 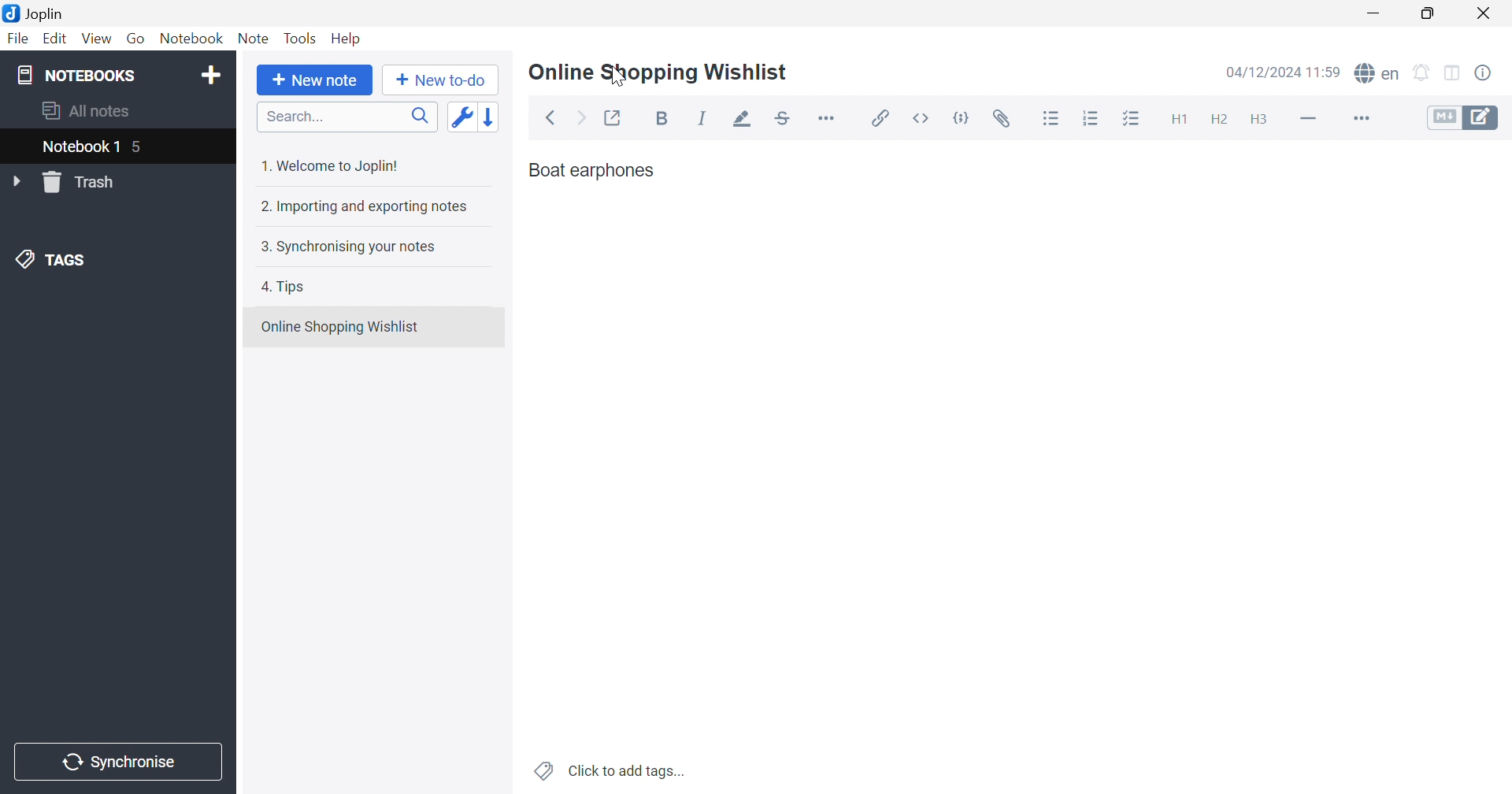 I want to click on Note properties, so click(x=1486, y=71).